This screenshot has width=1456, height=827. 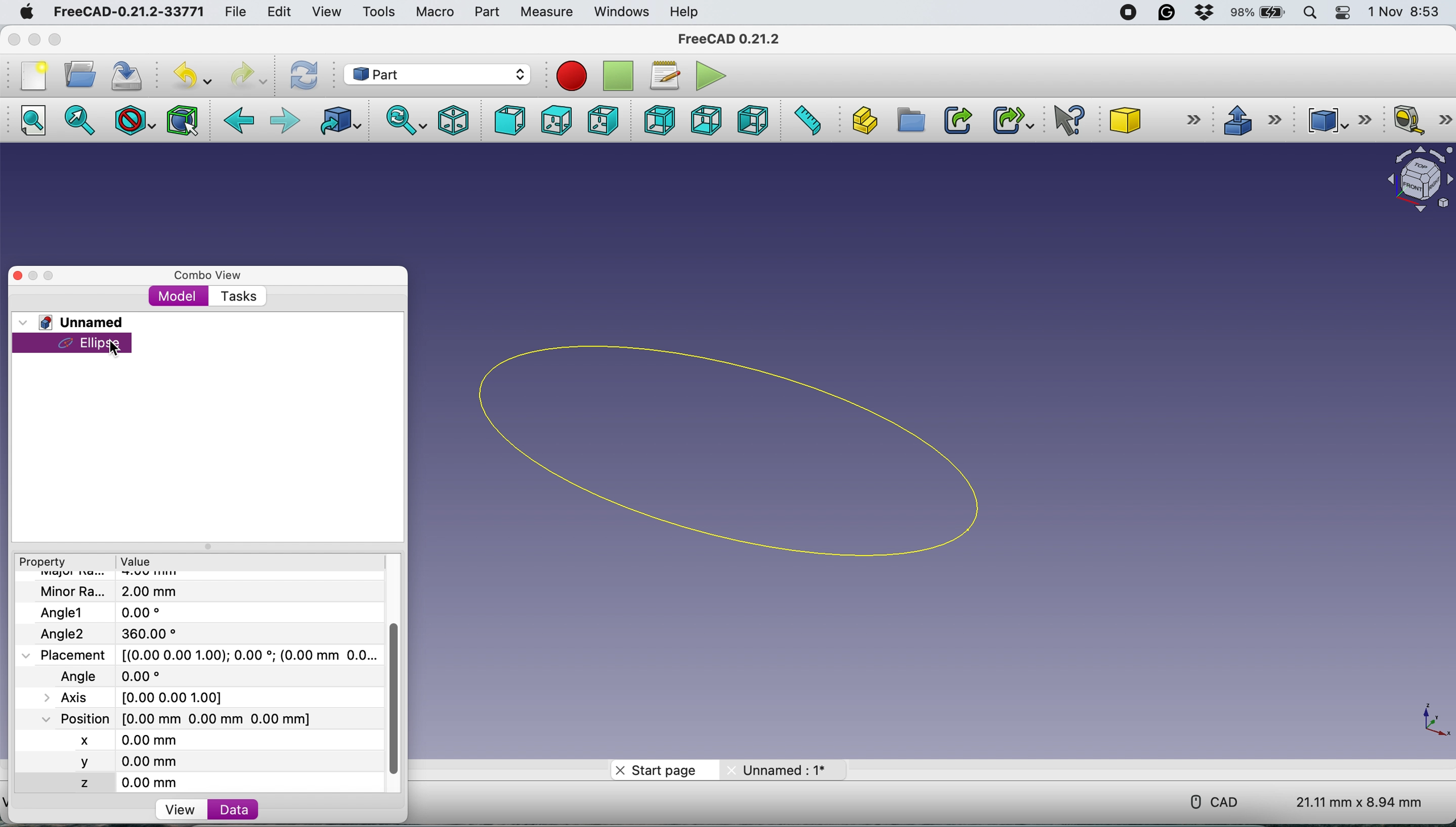 What do you see at coordinates (705, 121) in the screenshot?
I see `bottom` at bounding box center [705, 121].